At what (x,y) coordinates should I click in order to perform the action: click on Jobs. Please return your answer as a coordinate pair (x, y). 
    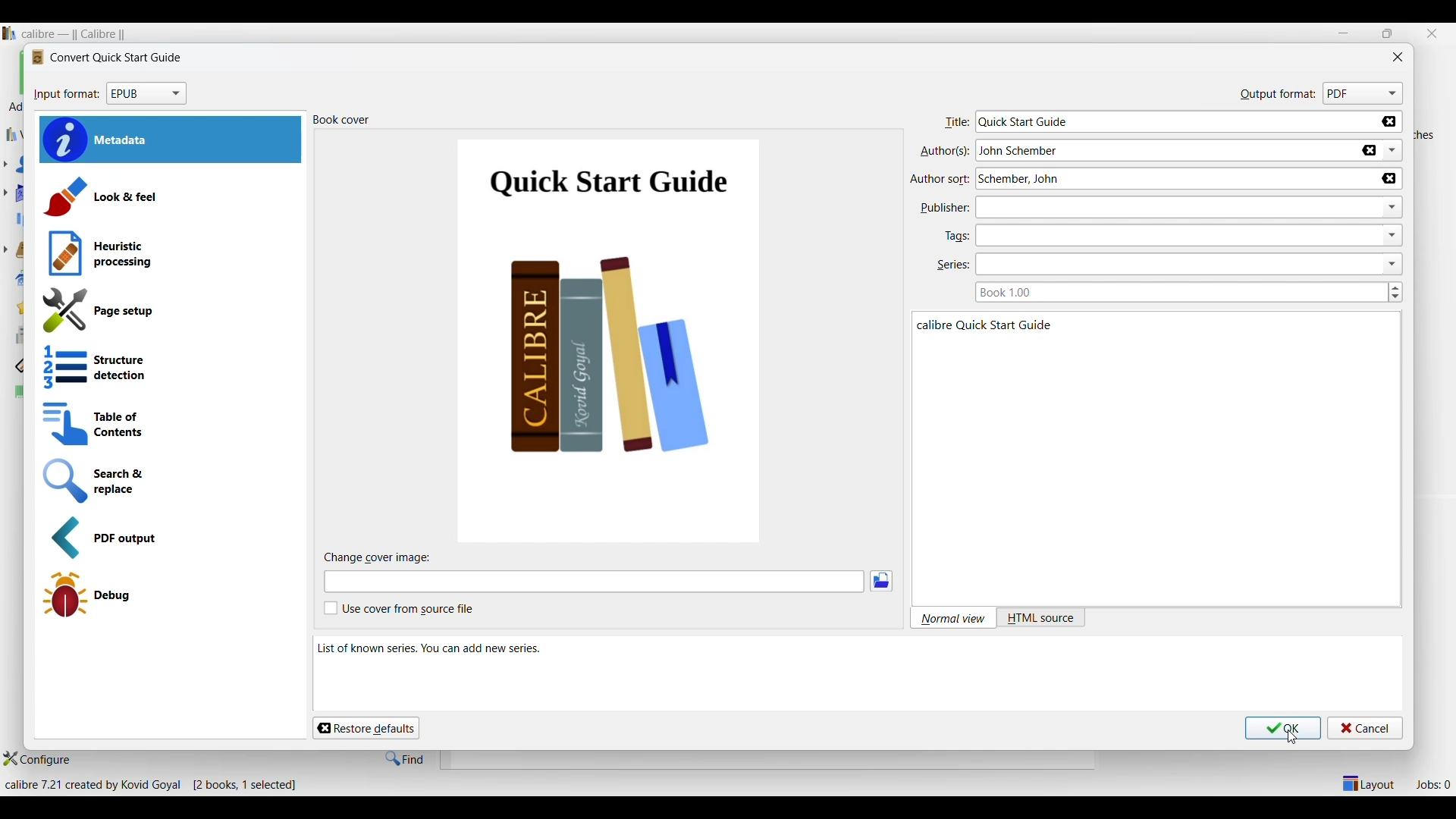
    Looking at the image, I should click on (1432, 785).